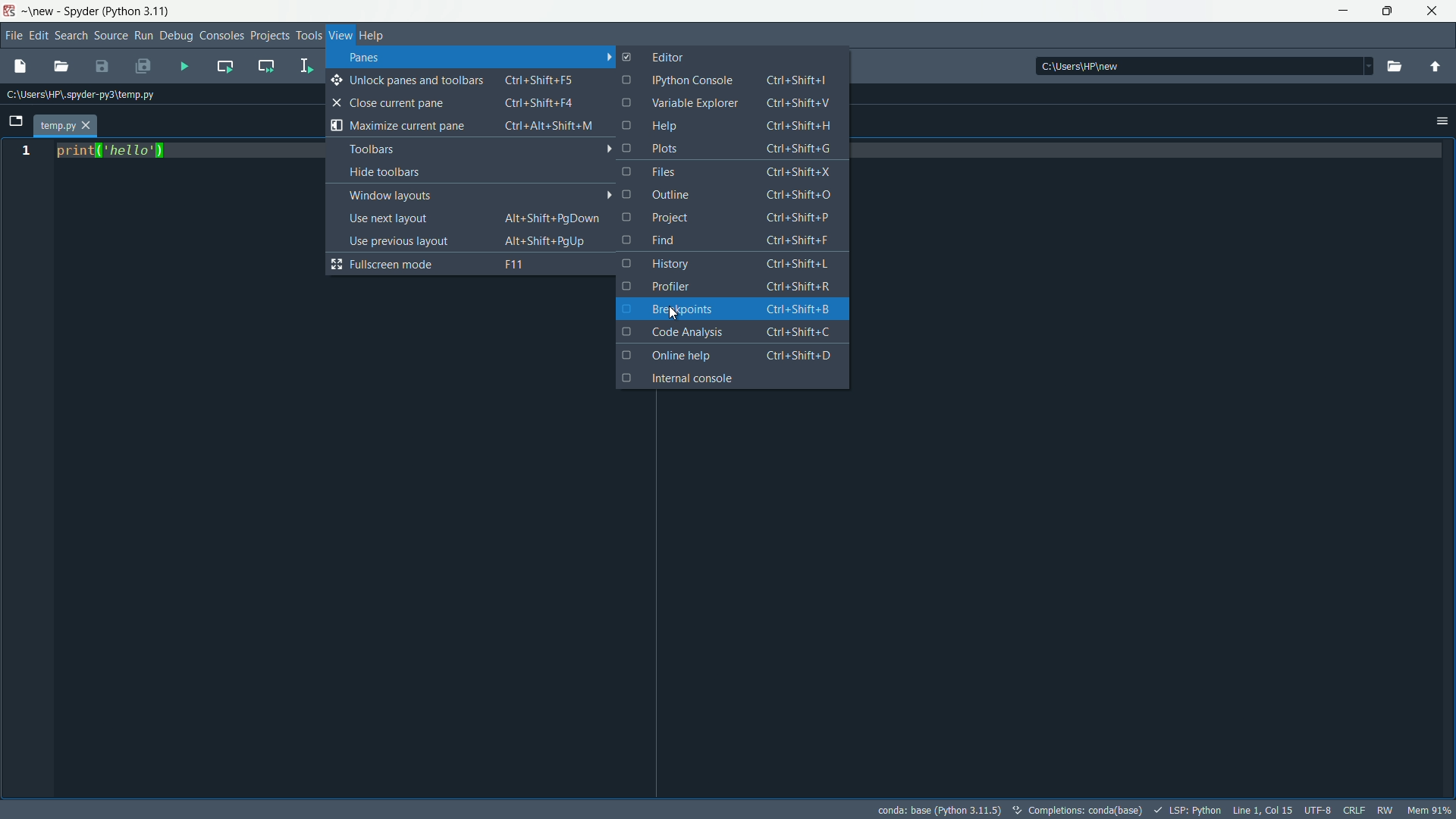 Image resolution: width=1456 pixels, height=819 pixels. Describe the element at coordinates (9, 11) in the screenshot. I see `app icon` at that location.